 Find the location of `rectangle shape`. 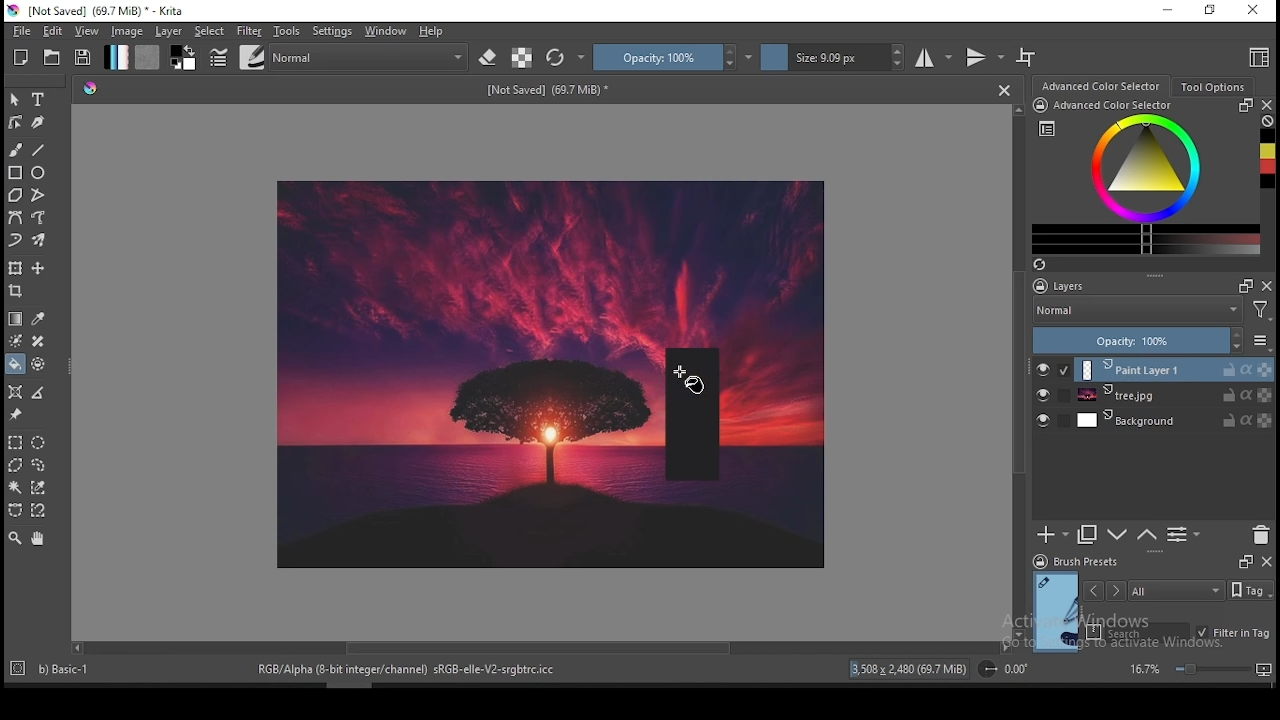

rectangle shape is located at coordinates (703, 411).